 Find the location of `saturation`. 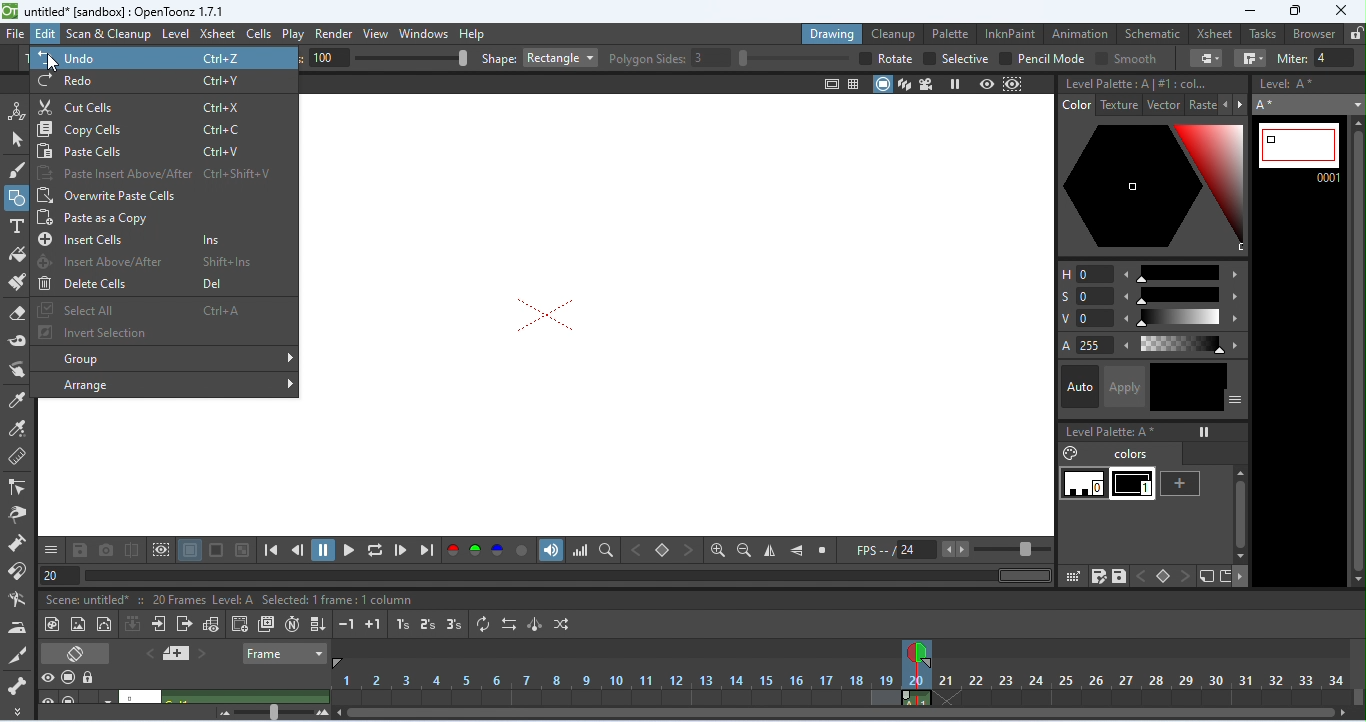

saturation is located at coordinates (1153, 297).